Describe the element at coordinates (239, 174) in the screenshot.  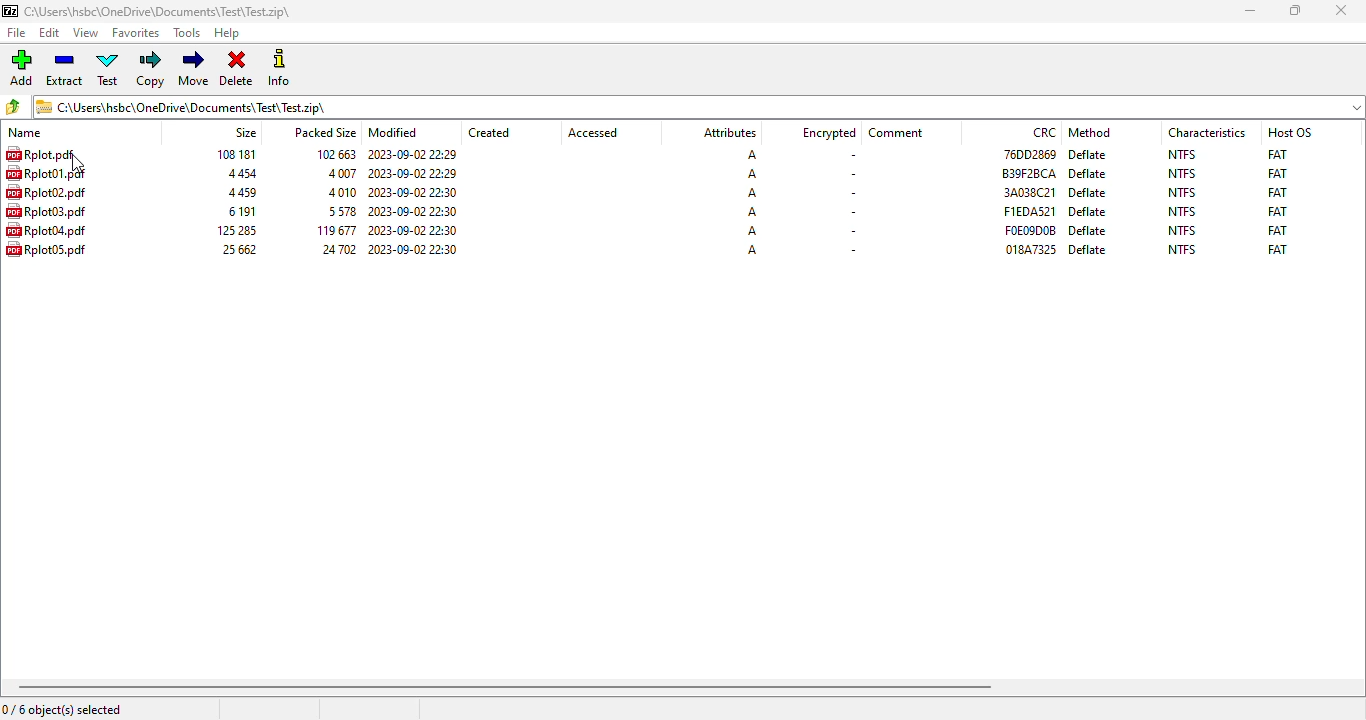
I see `size` at that location.